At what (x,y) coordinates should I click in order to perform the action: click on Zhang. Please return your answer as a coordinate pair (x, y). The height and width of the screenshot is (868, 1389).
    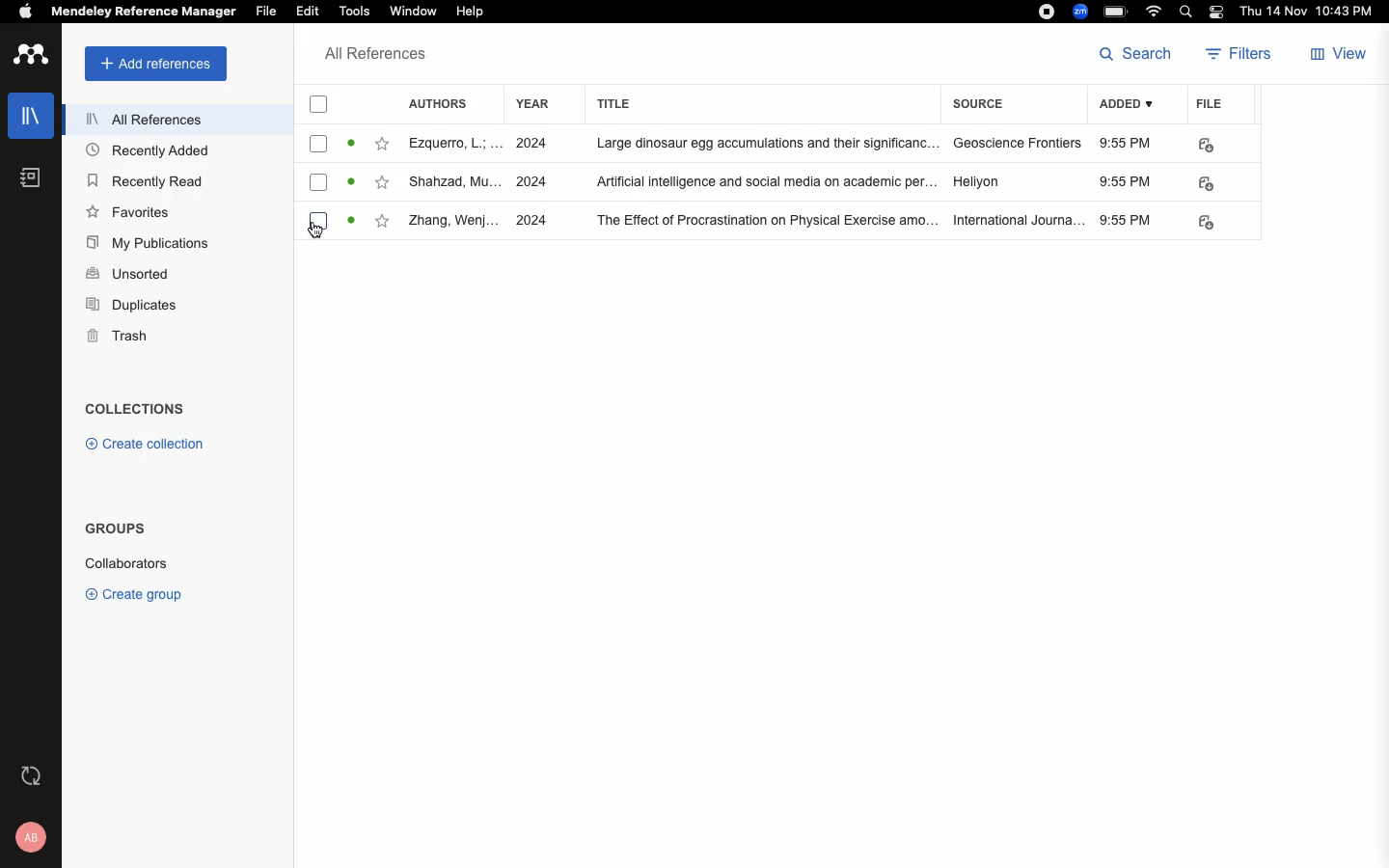
    Looking at the image, I should click on (453, 222).